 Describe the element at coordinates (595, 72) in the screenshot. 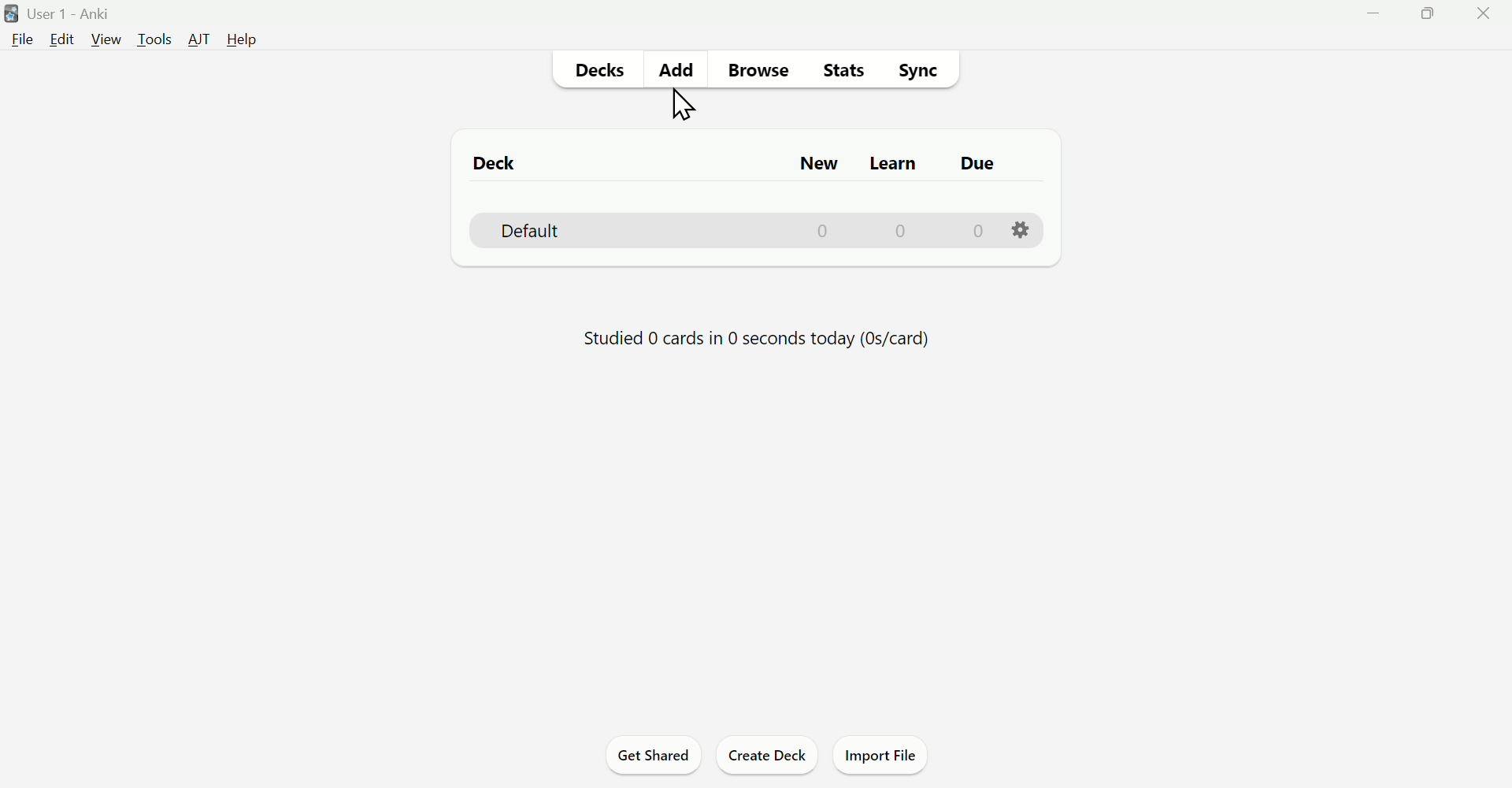

I see `Decks` at that location.